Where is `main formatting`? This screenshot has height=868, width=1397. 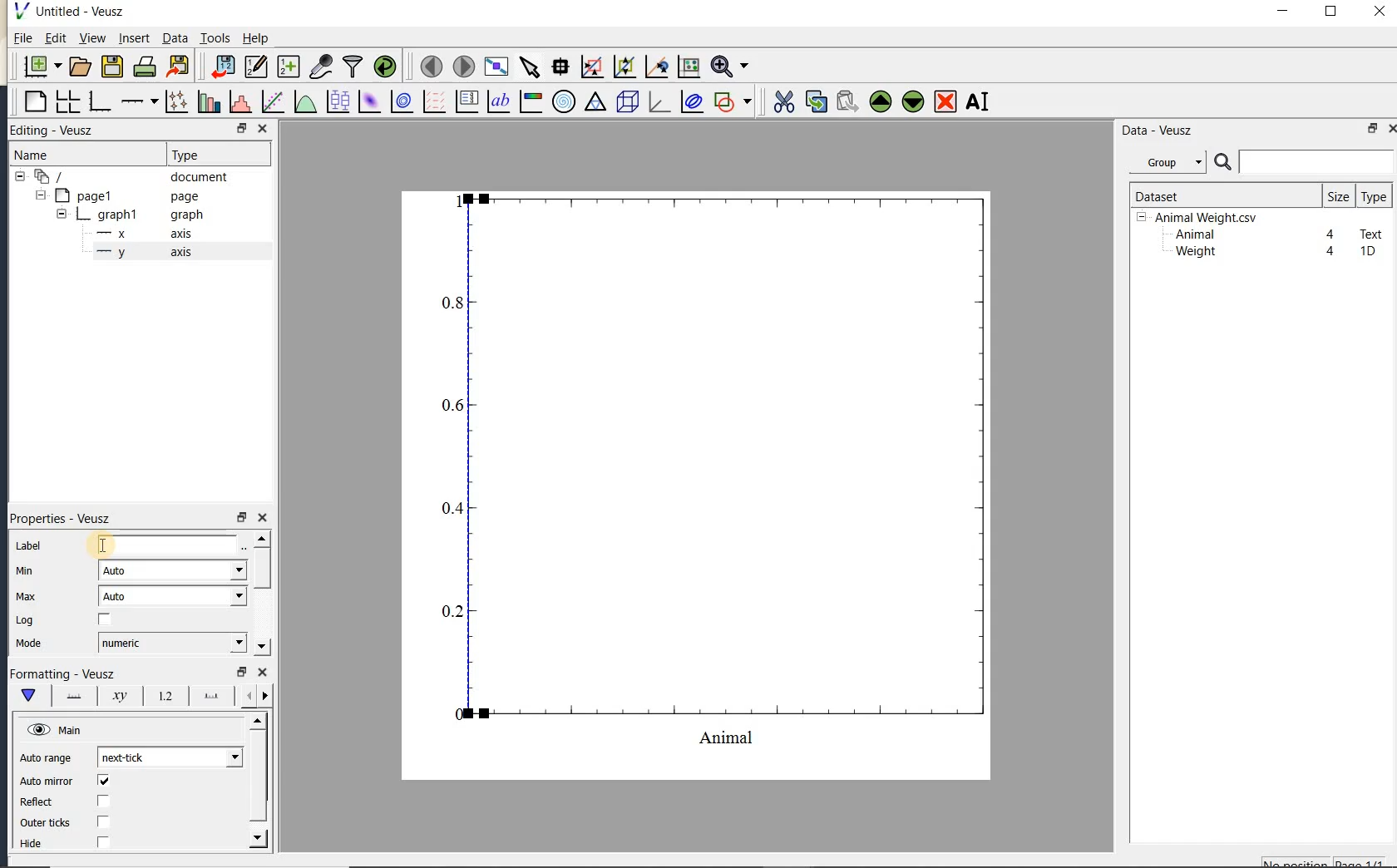
main formatting is located at coordinates (27, 695).